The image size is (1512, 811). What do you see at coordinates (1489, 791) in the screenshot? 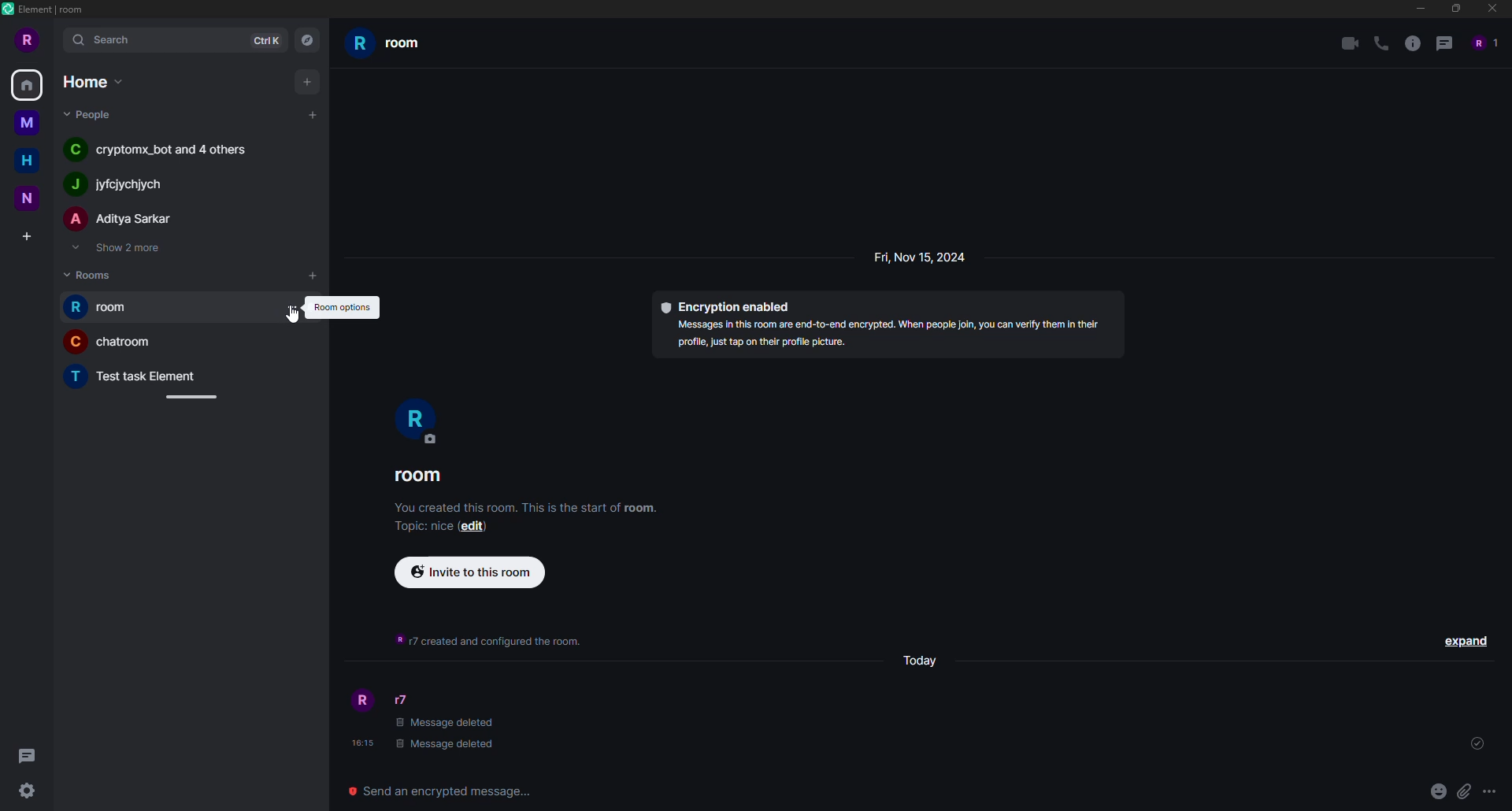
I see `more` at bounding box center [1489, 791].